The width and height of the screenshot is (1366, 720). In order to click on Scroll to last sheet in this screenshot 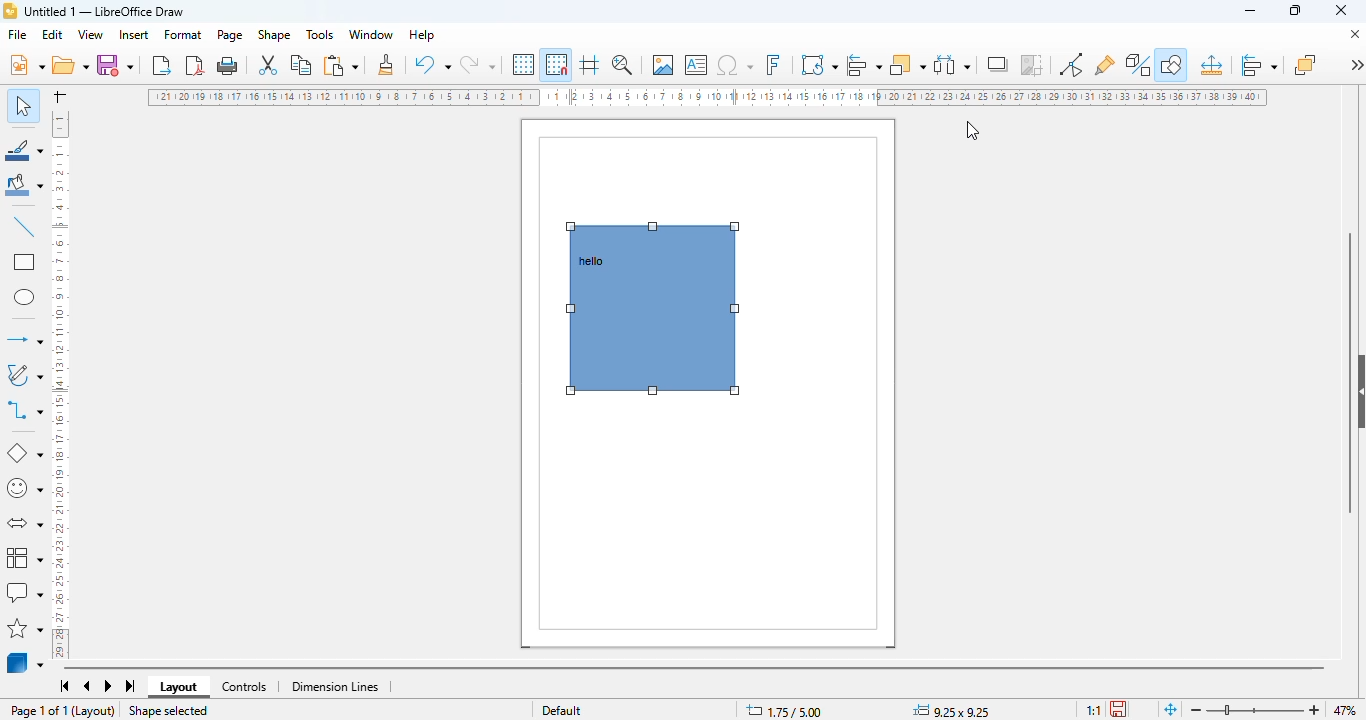, I will do `click(132, 686)`.